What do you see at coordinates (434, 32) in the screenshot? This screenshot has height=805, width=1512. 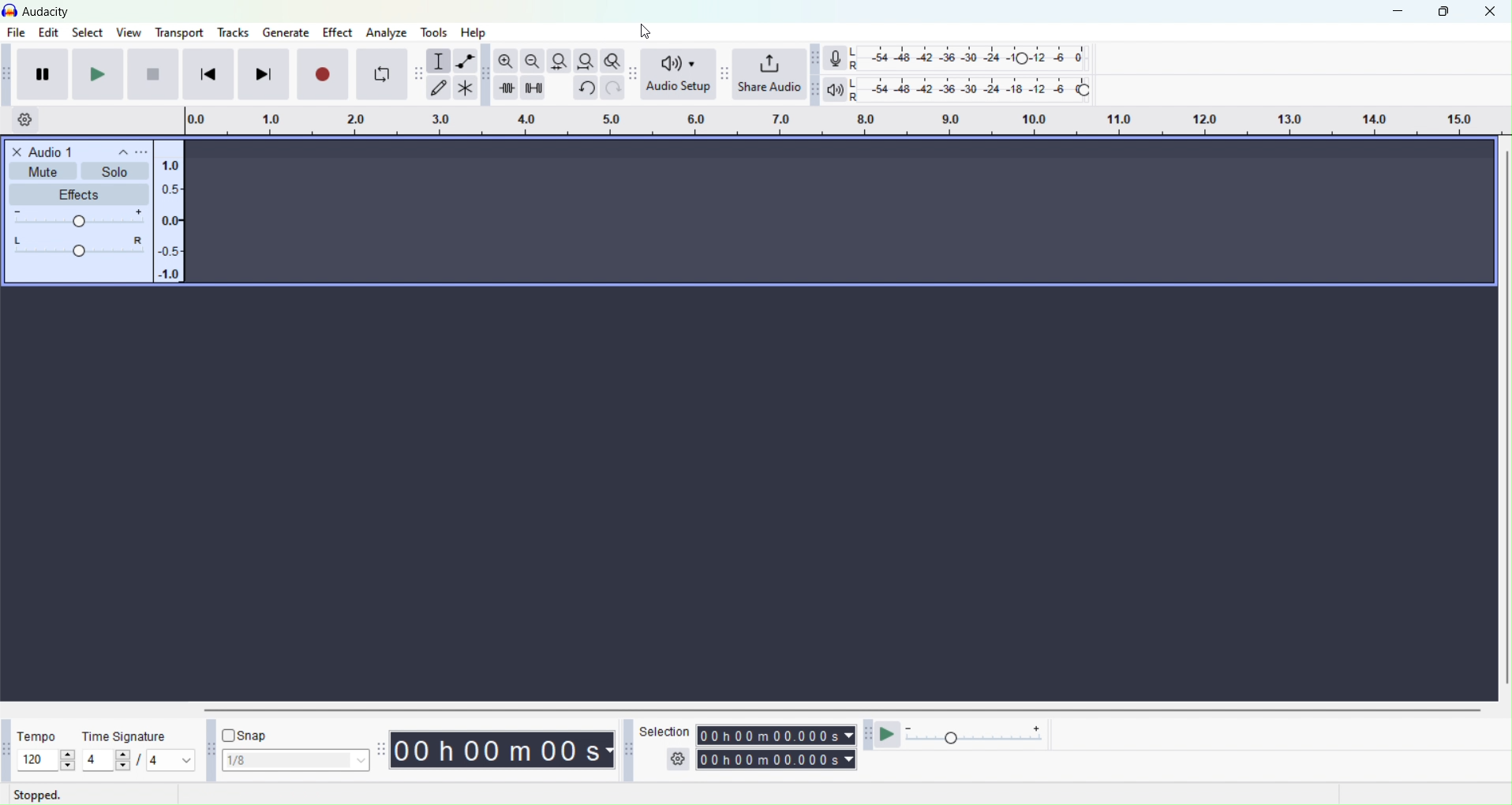 I see `Tools` at bounding box center [434, 32].